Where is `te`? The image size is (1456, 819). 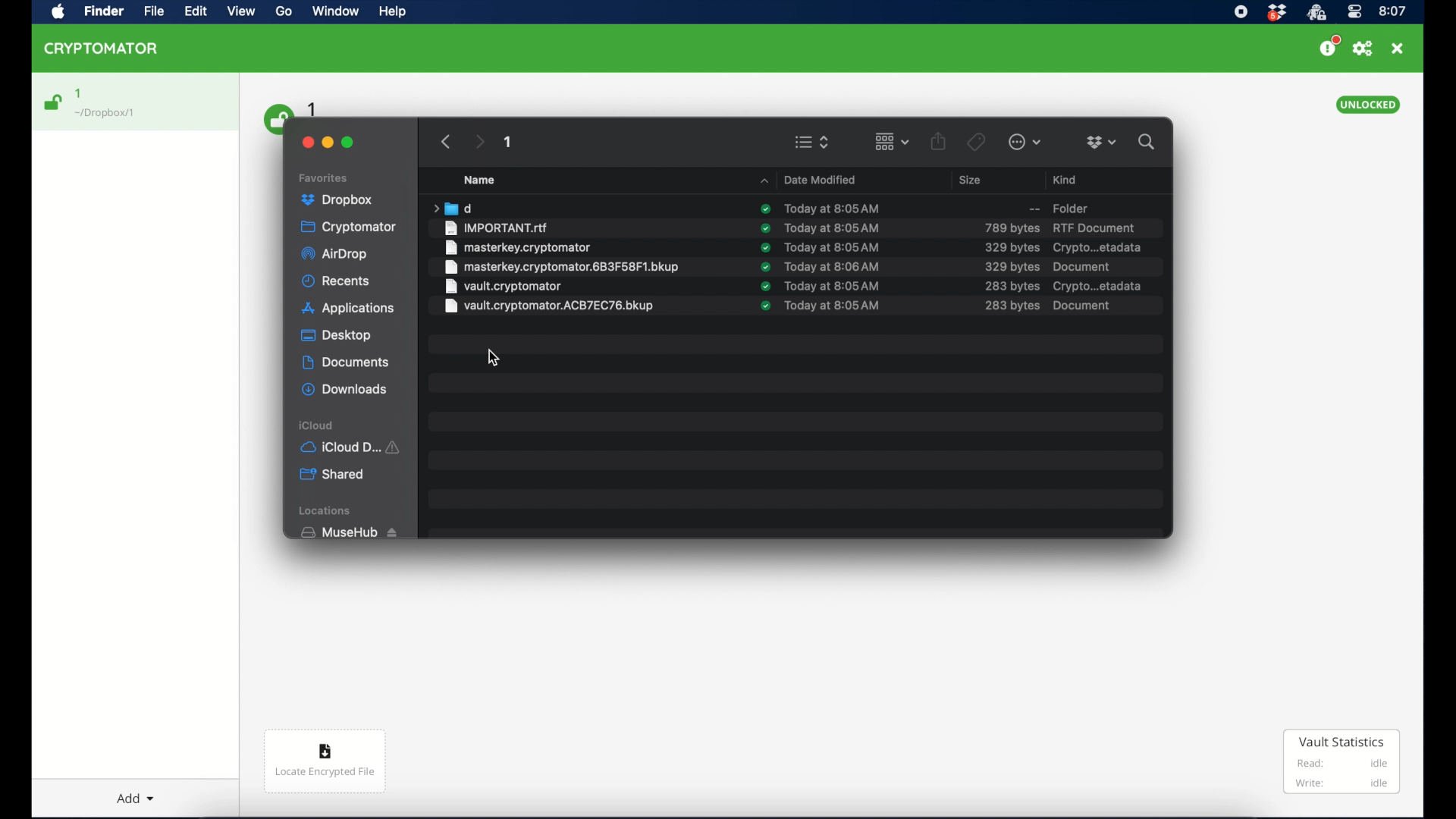
te is located at coordinates (833, 227).